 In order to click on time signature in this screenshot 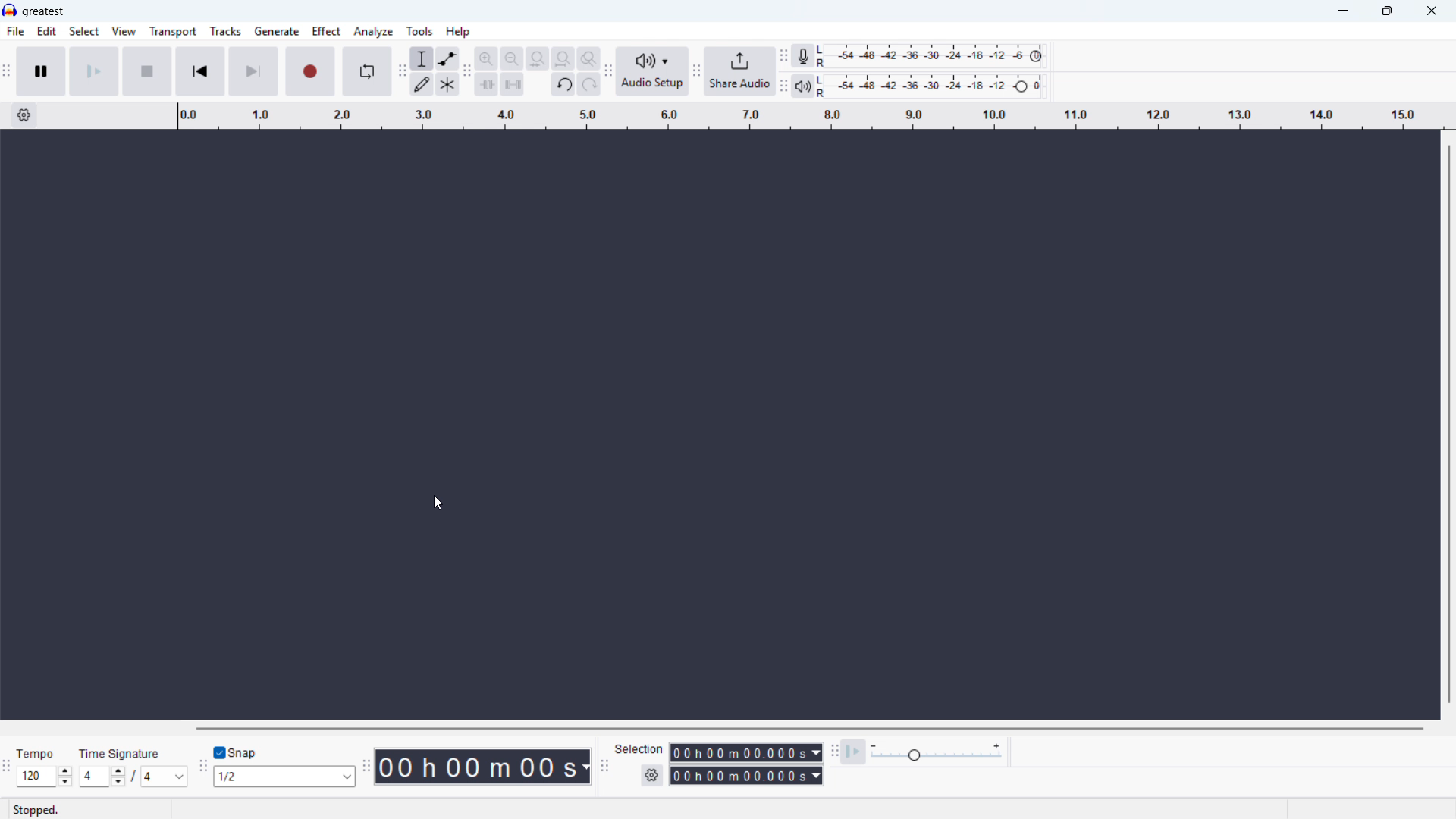, I will do `click(121, 754)`.